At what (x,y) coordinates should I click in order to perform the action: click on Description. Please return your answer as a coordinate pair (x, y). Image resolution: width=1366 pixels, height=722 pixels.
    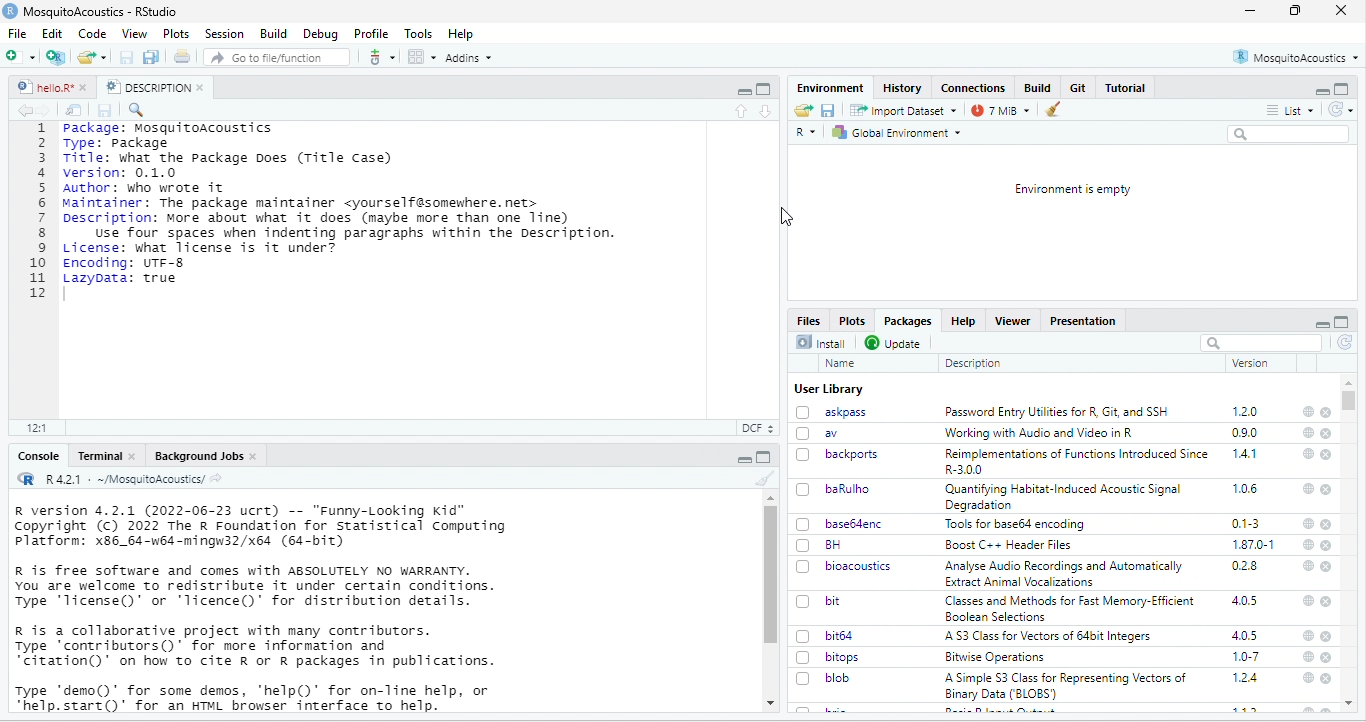
    Looking at the image, I should click on (973, 363).